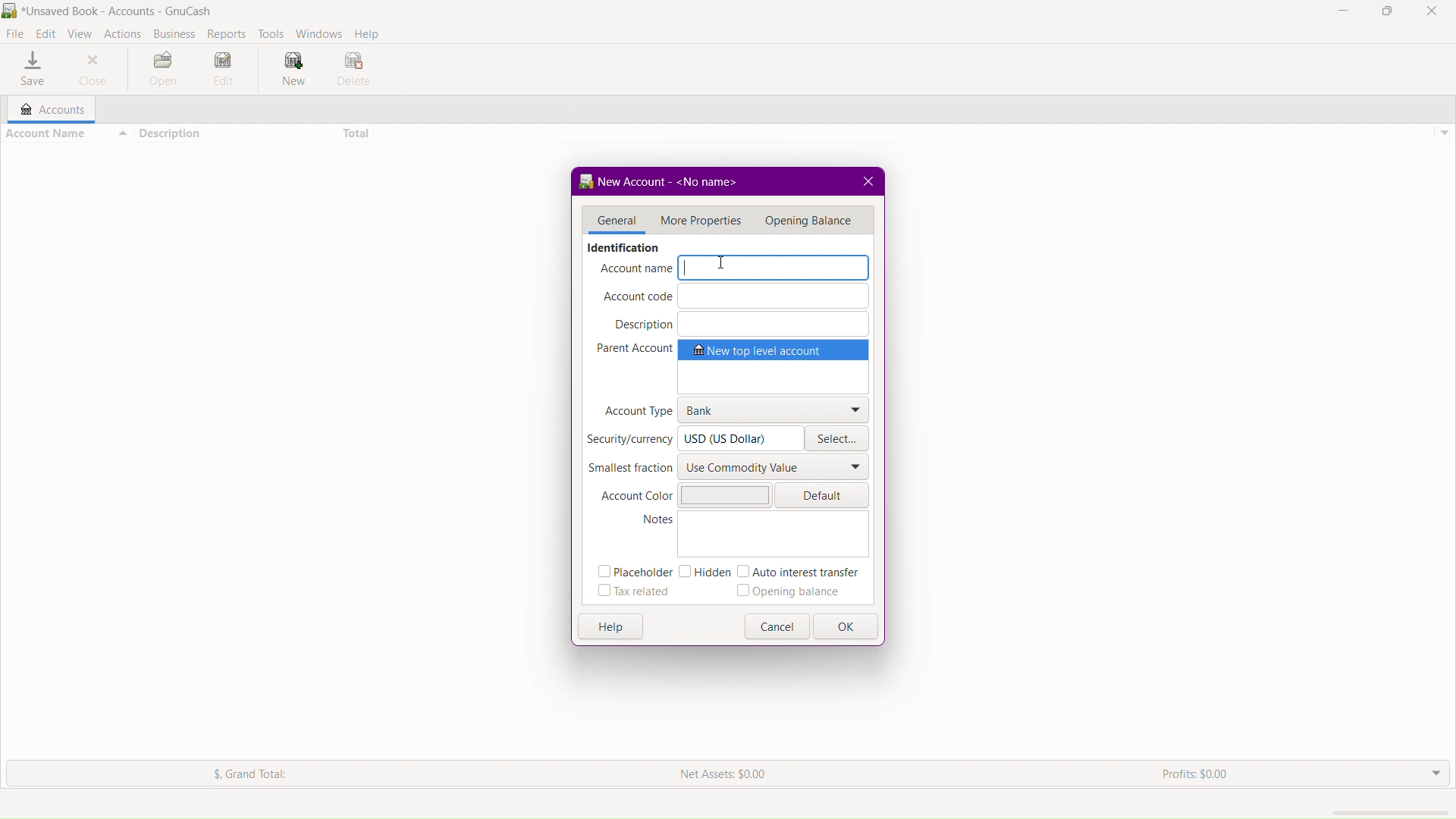 The width and height of the screenshot is (1456, 819). What do you see at coordinates (319, 32) in the screenshot?
I see `Windows` at bounding box center [319, 32].